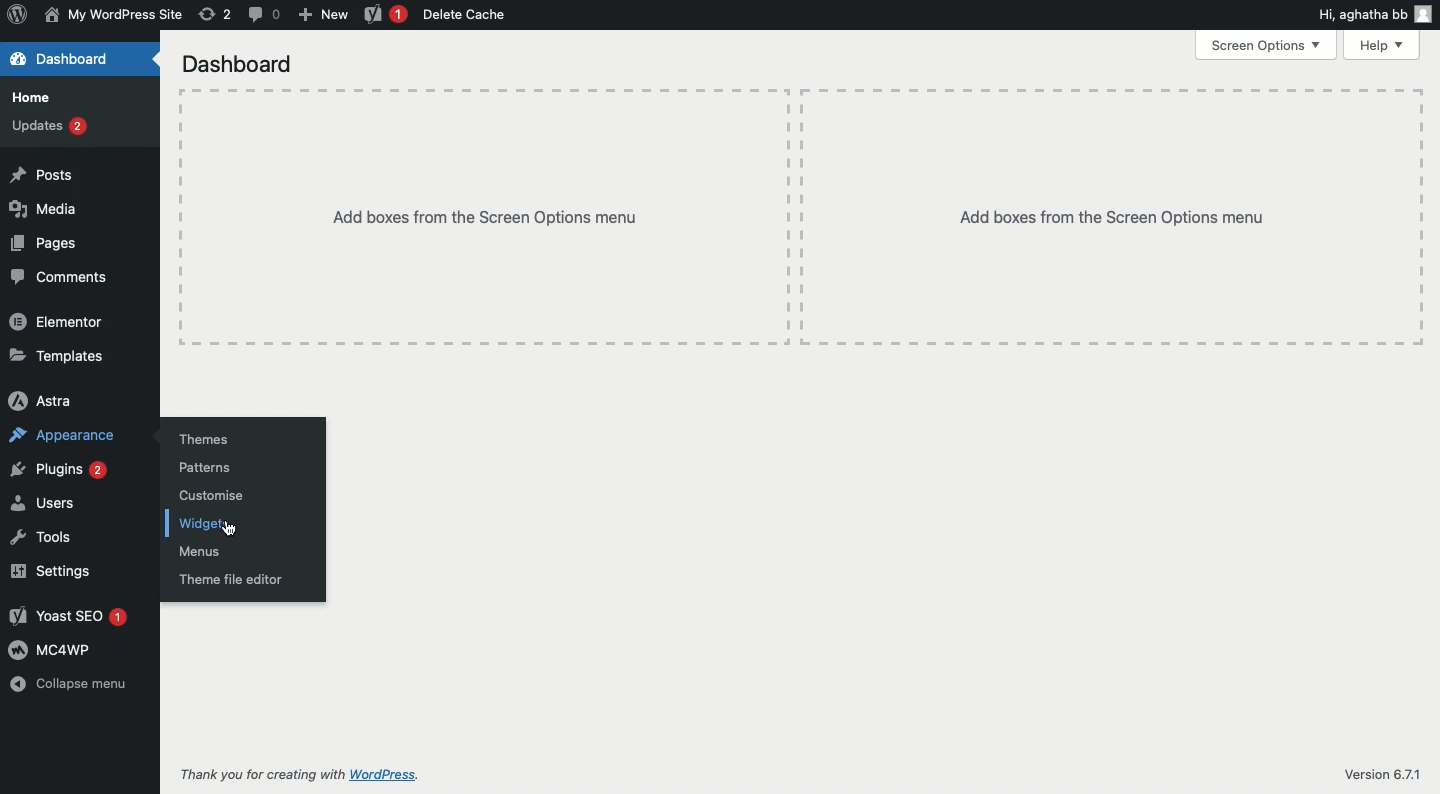 The width and height of the screenshot is (1440, 794). Describe the element at coordinates (116, 13) in the screenshot. I see `Name` at that location.